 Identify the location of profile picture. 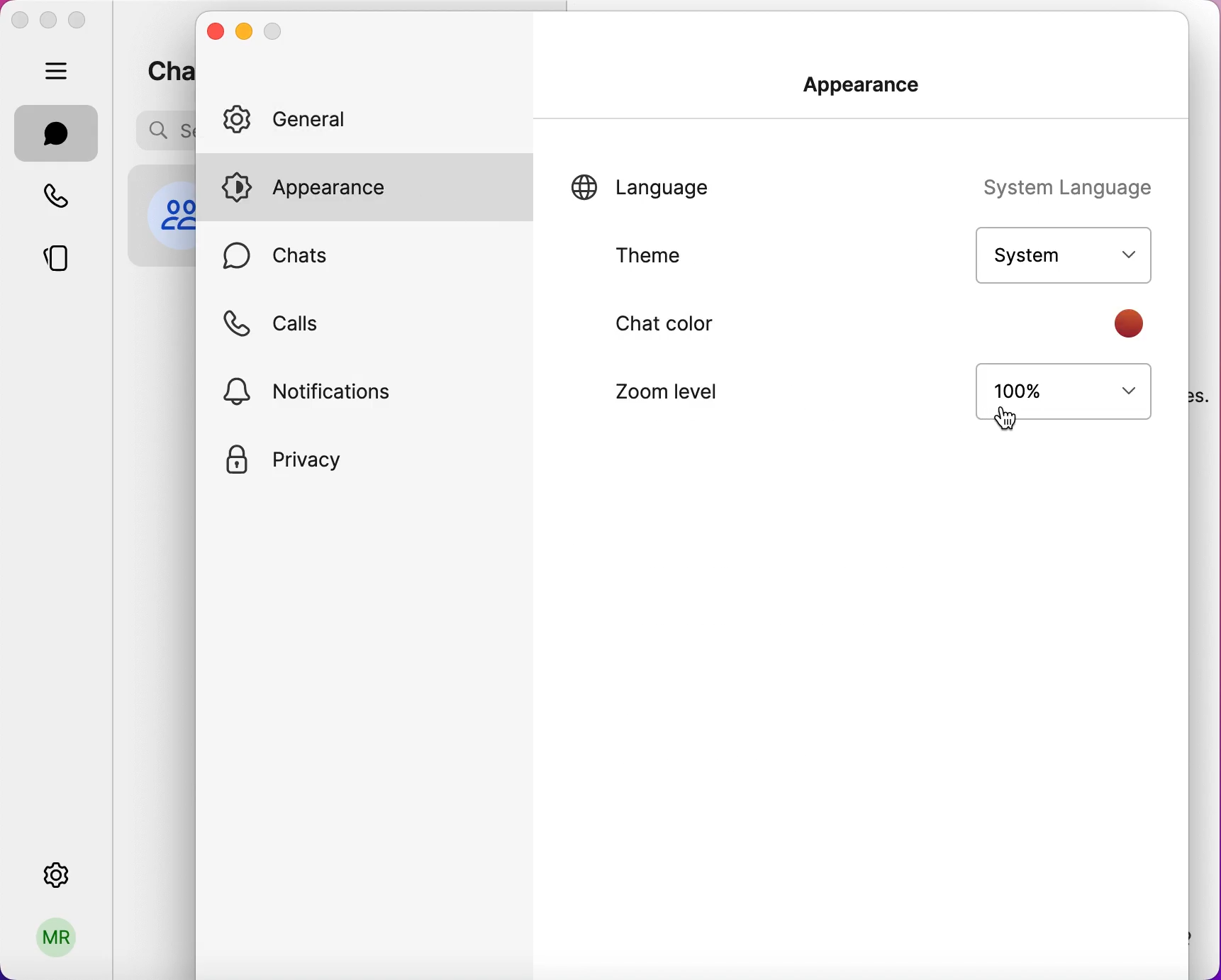
(169, 216).